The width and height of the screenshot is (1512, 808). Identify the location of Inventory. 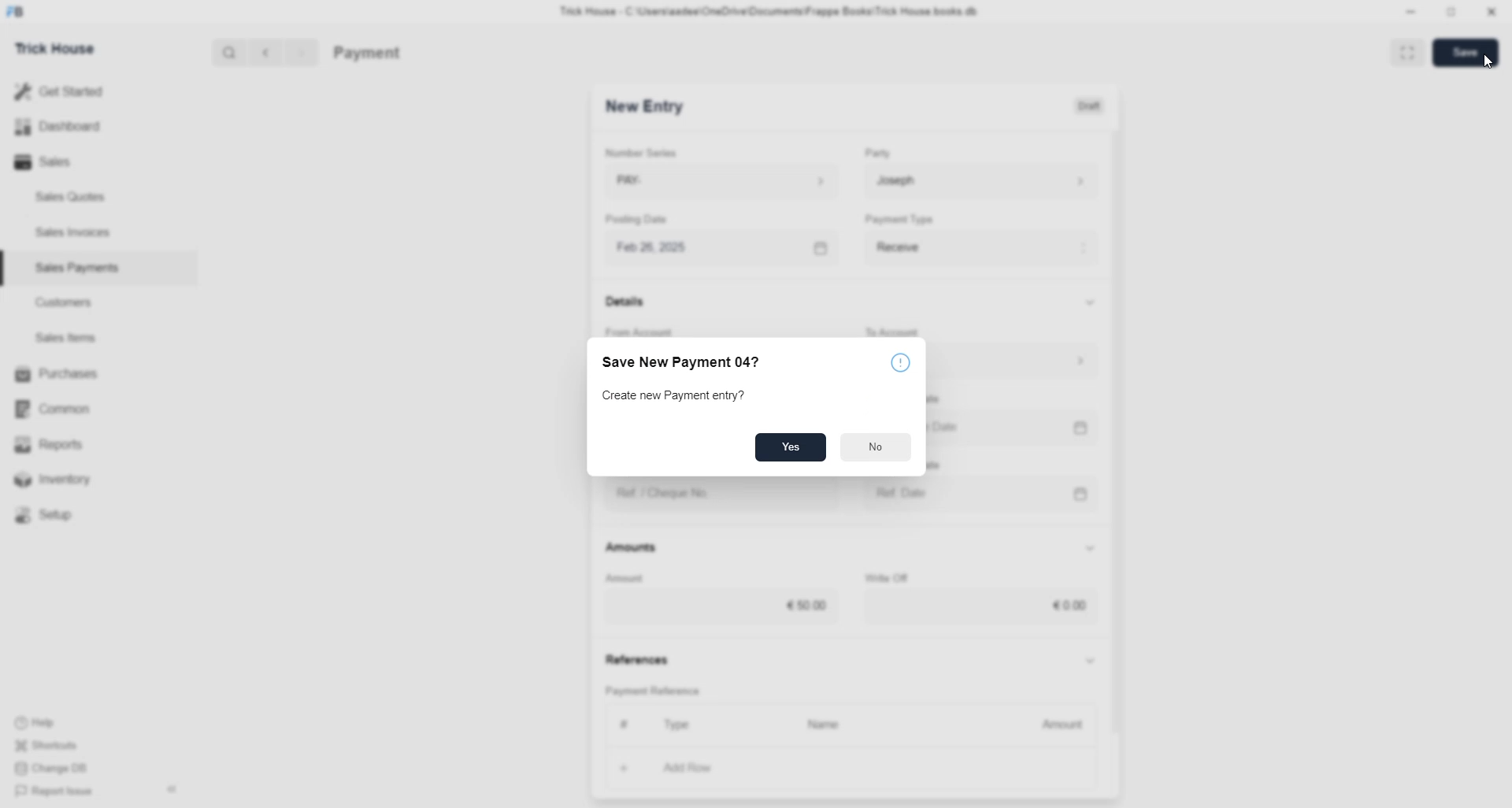
(71, 478).